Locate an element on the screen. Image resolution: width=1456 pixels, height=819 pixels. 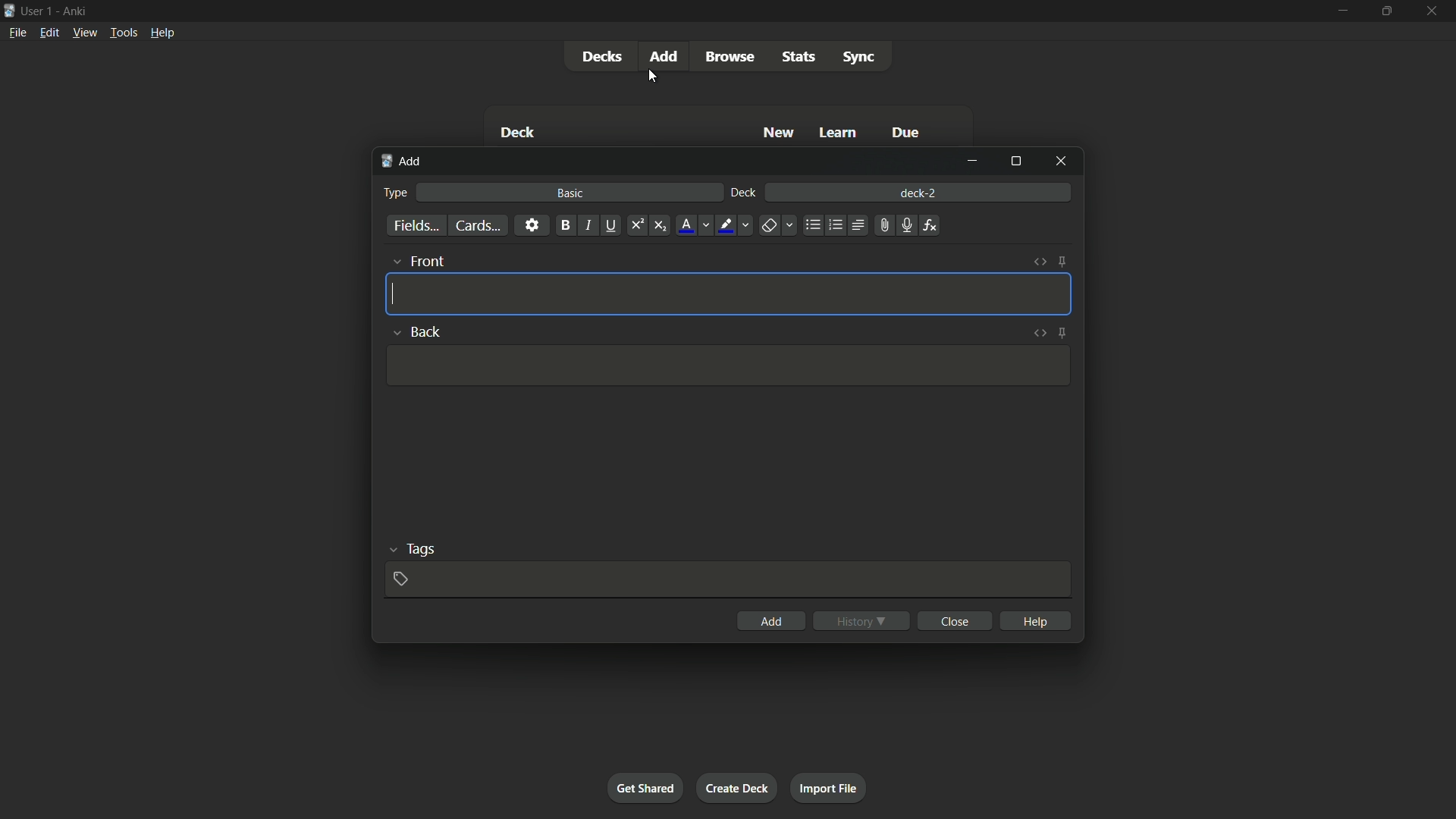
record audio is located at coordinates (905, 225).